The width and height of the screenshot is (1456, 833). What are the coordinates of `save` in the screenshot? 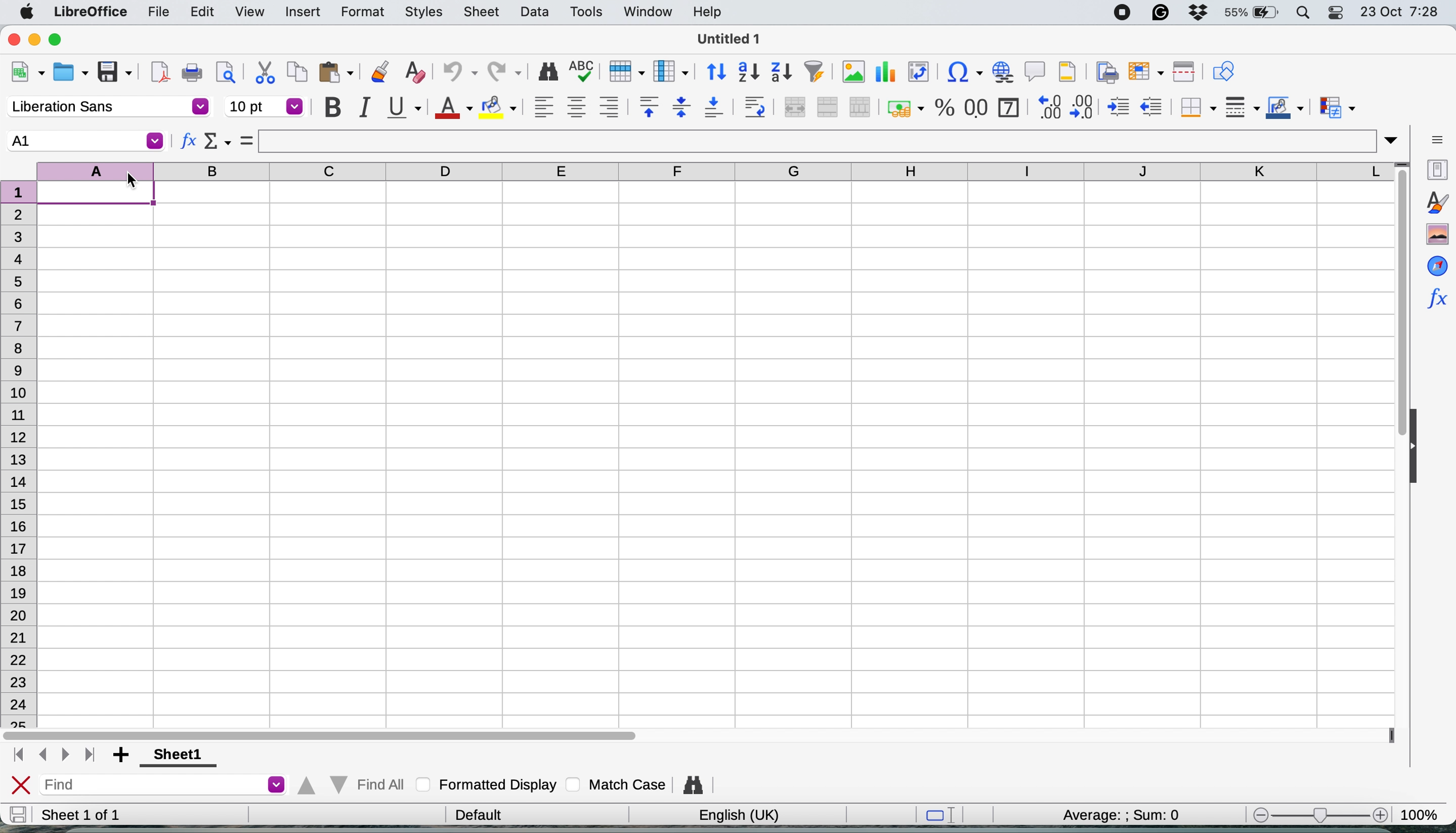 It's located at (116, 72).